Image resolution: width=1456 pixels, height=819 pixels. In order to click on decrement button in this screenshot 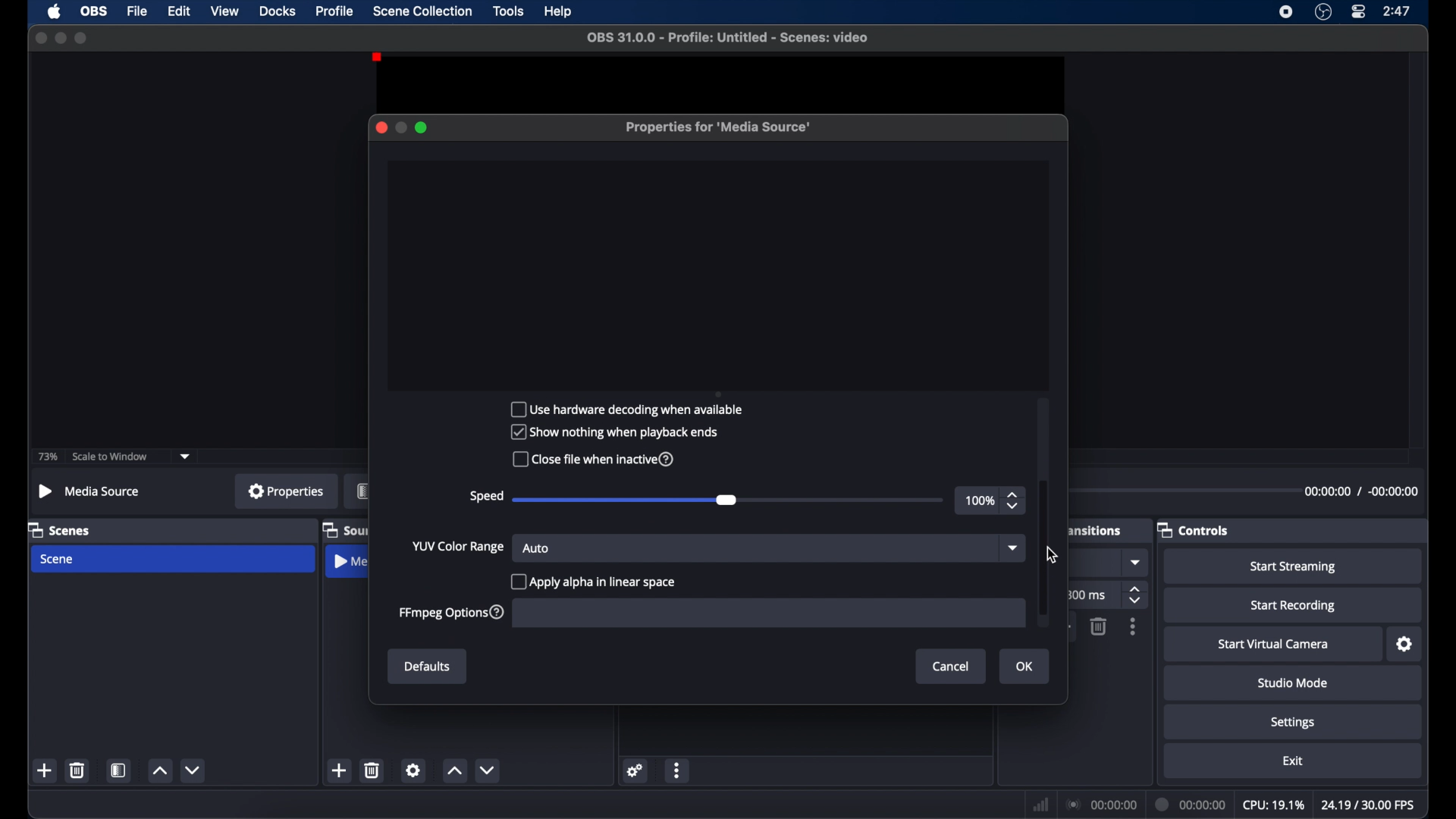, I will do `click(194, 769)`.